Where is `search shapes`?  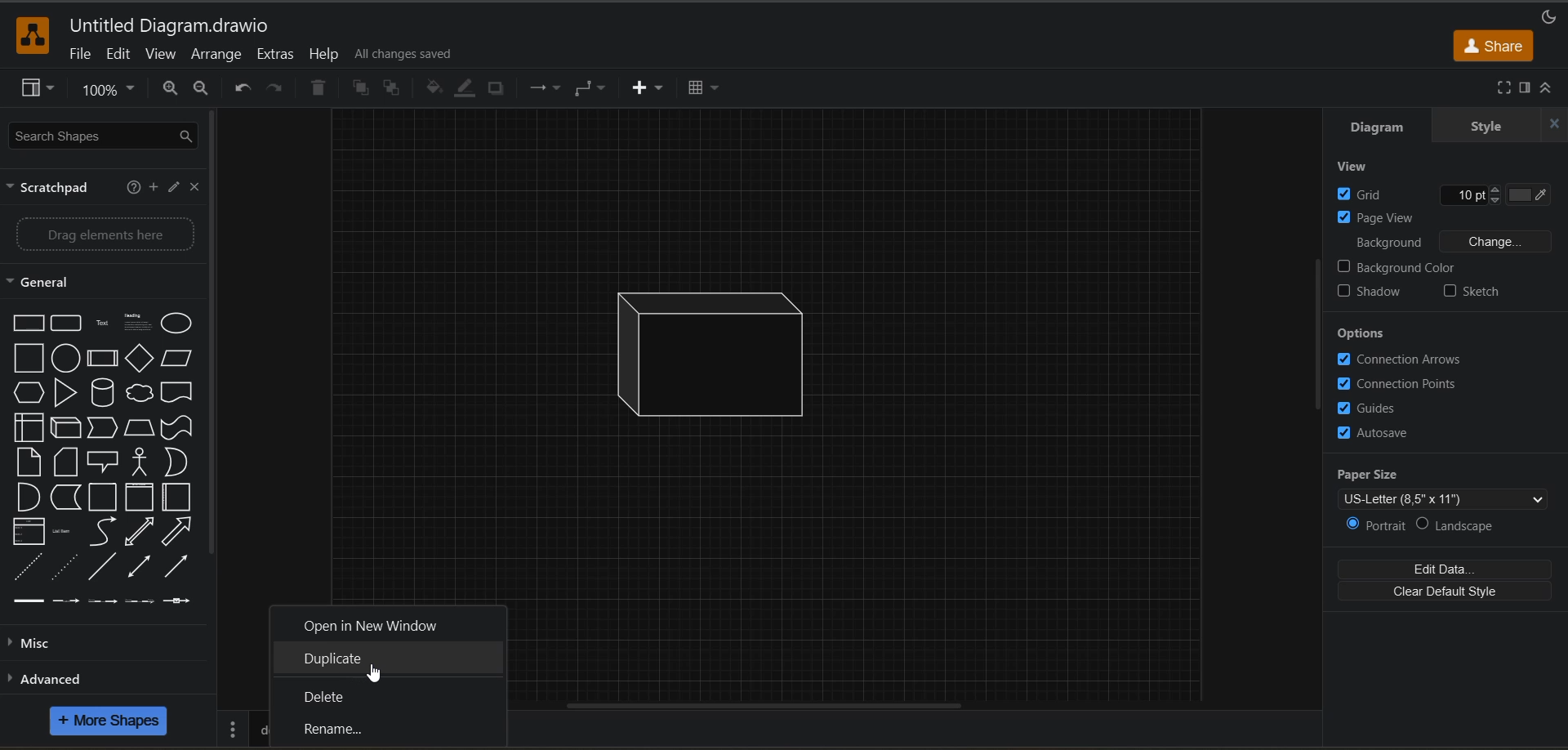 search shapes is located at coordinates (97, 136).